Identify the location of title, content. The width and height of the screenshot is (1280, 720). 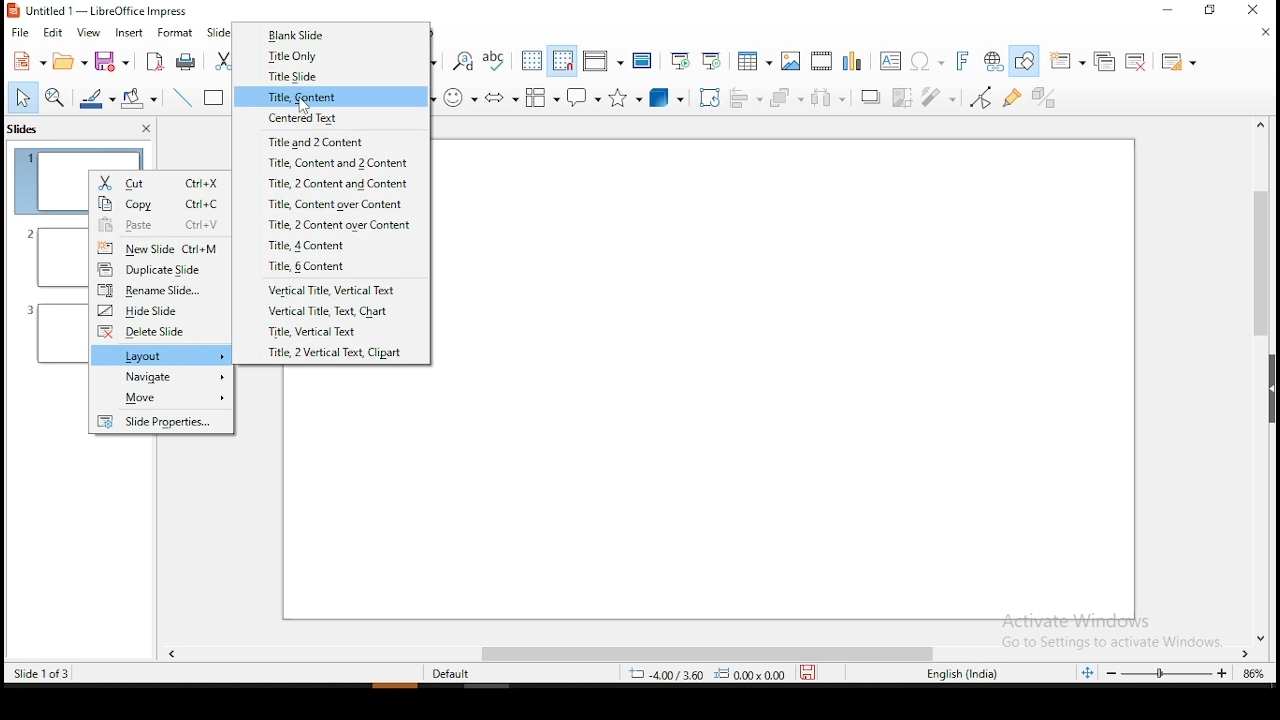
(304, 97).